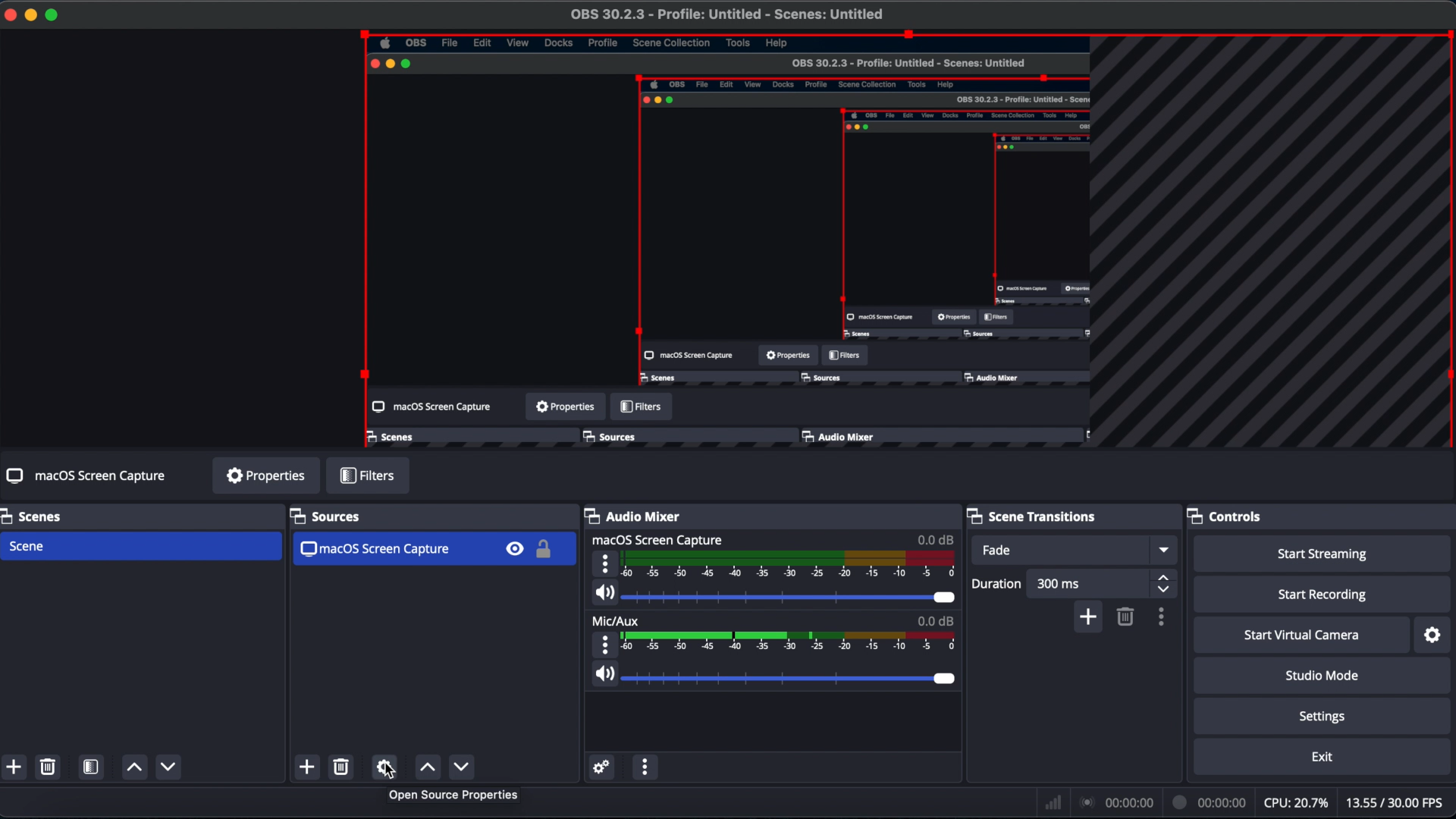  Describe the element at coordinates (547, 550) in the screenshot. I see `lock toggle` at that location.